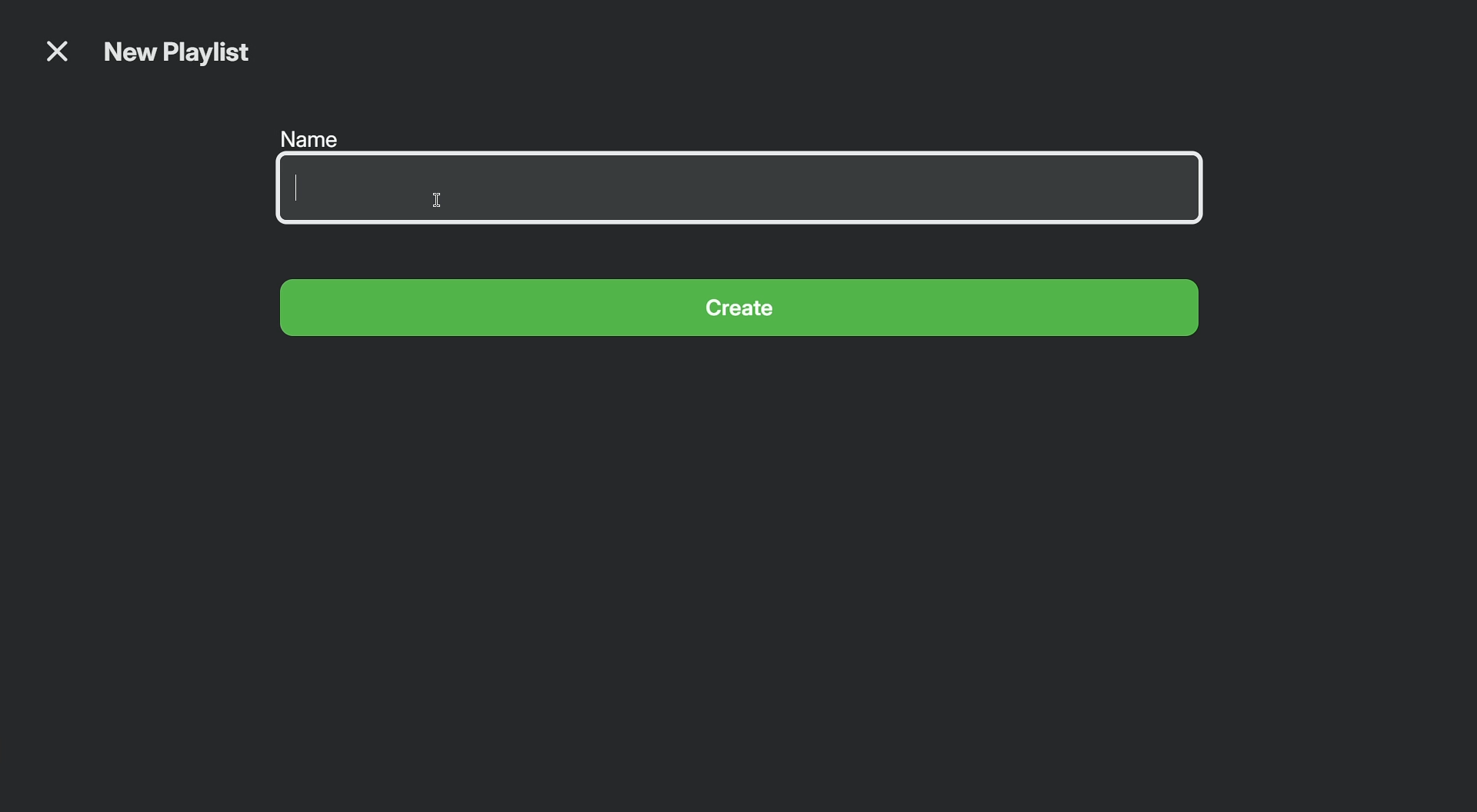  Describe the element at coordinates (179, 55) in the screenshot. I see `New Playlist` at that location.